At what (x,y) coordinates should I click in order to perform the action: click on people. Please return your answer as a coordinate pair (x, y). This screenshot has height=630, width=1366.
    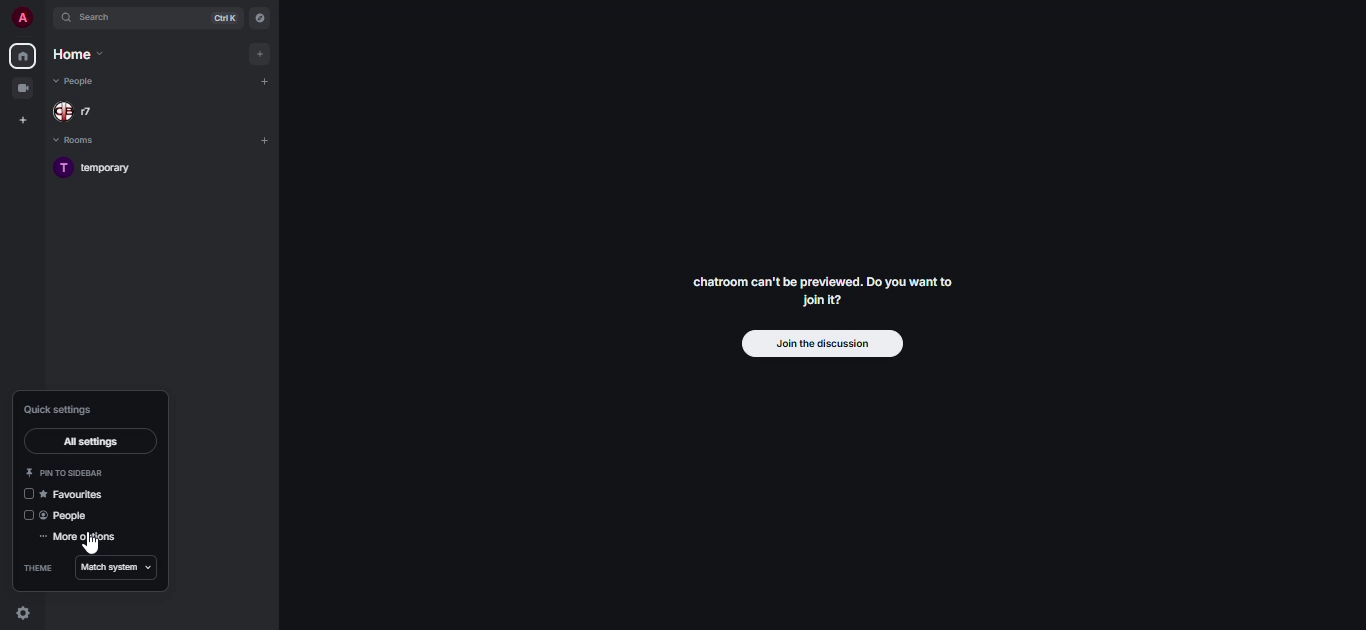
    Looking at the image, I should click on (80, 81).